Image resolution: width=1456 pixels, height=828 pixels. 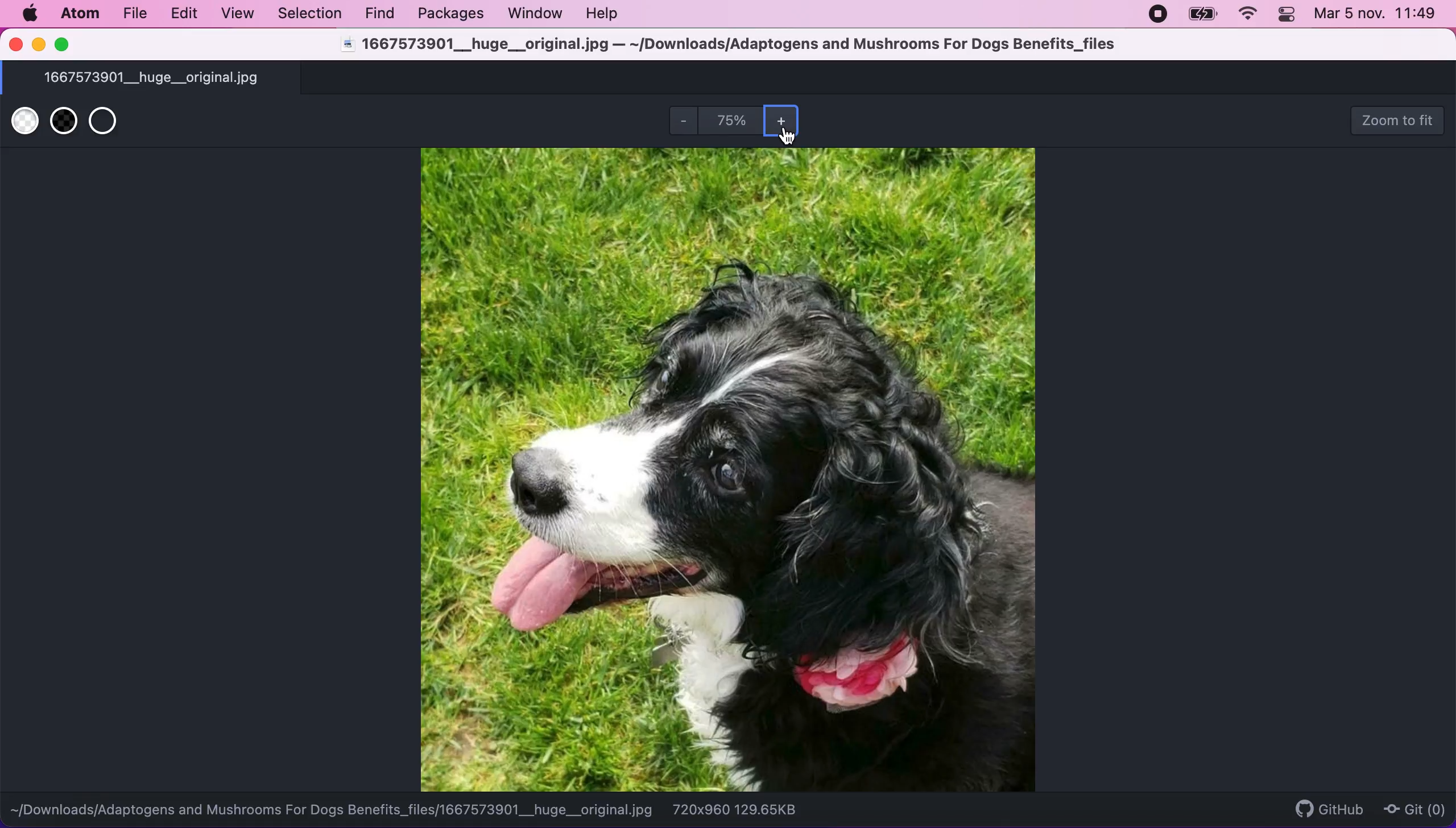 What do you see at coordinates (311, 13) in the screenshot?
I see `selection` at bounding box center [311, 13].